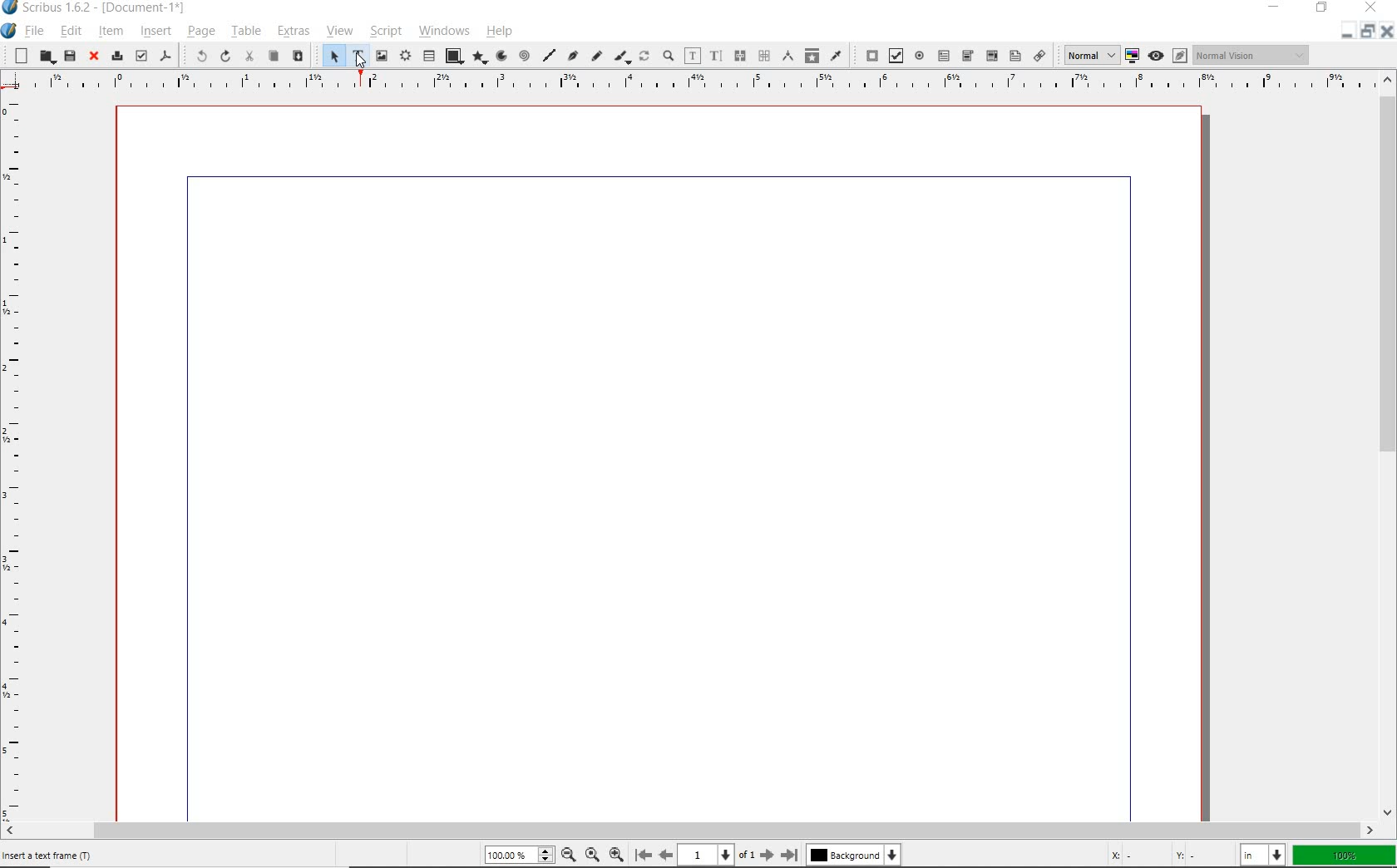 This screenshot has height=868, width=1397. What do you see at coordinates (360, 59) in the screenshot?
I see `Cursor Position` at bounding box center [360, 59].